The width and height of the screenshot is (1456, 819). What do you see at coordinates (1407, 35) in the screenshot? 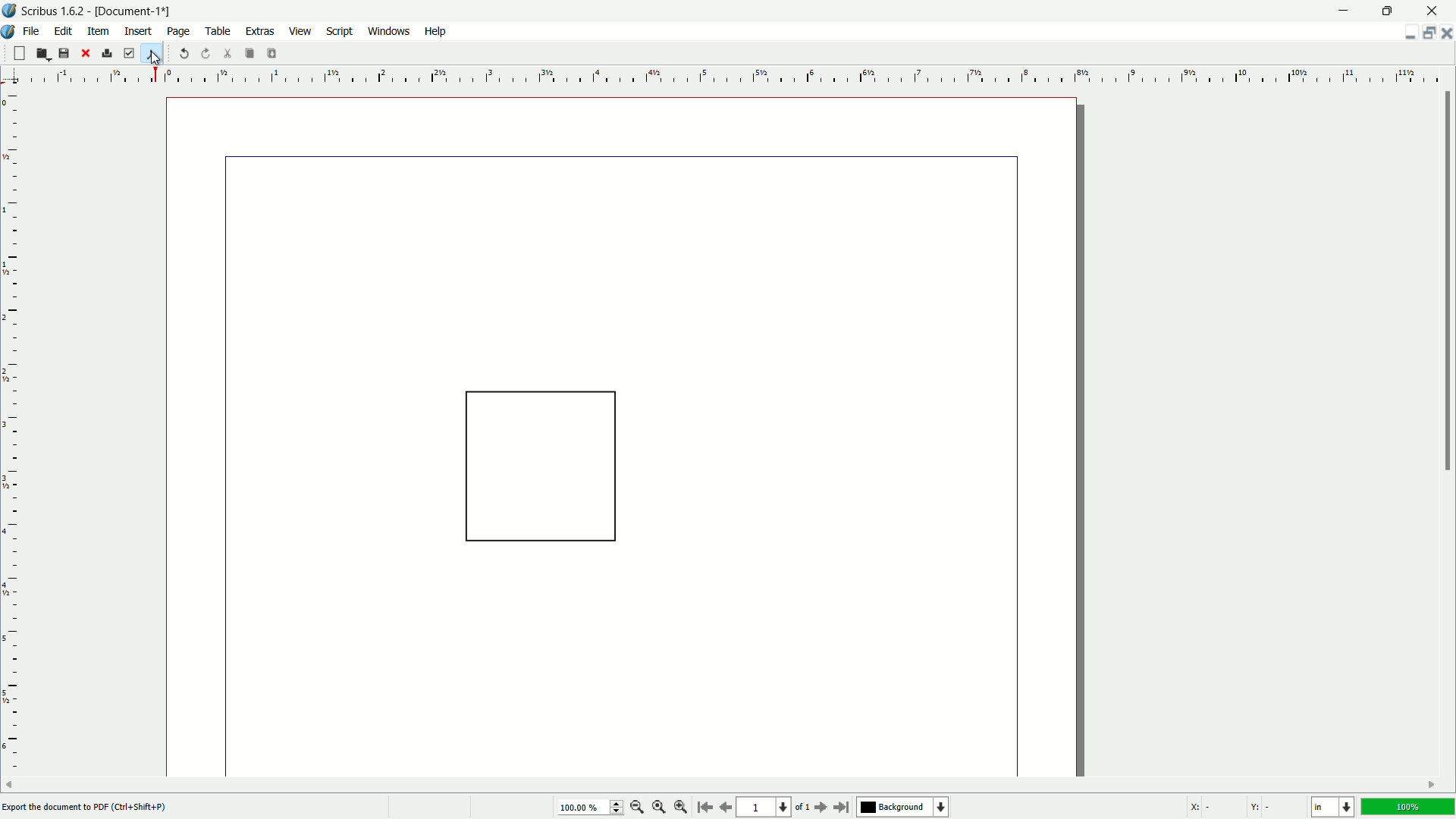
I see `minimize document` at bounding box center [1407, 35].